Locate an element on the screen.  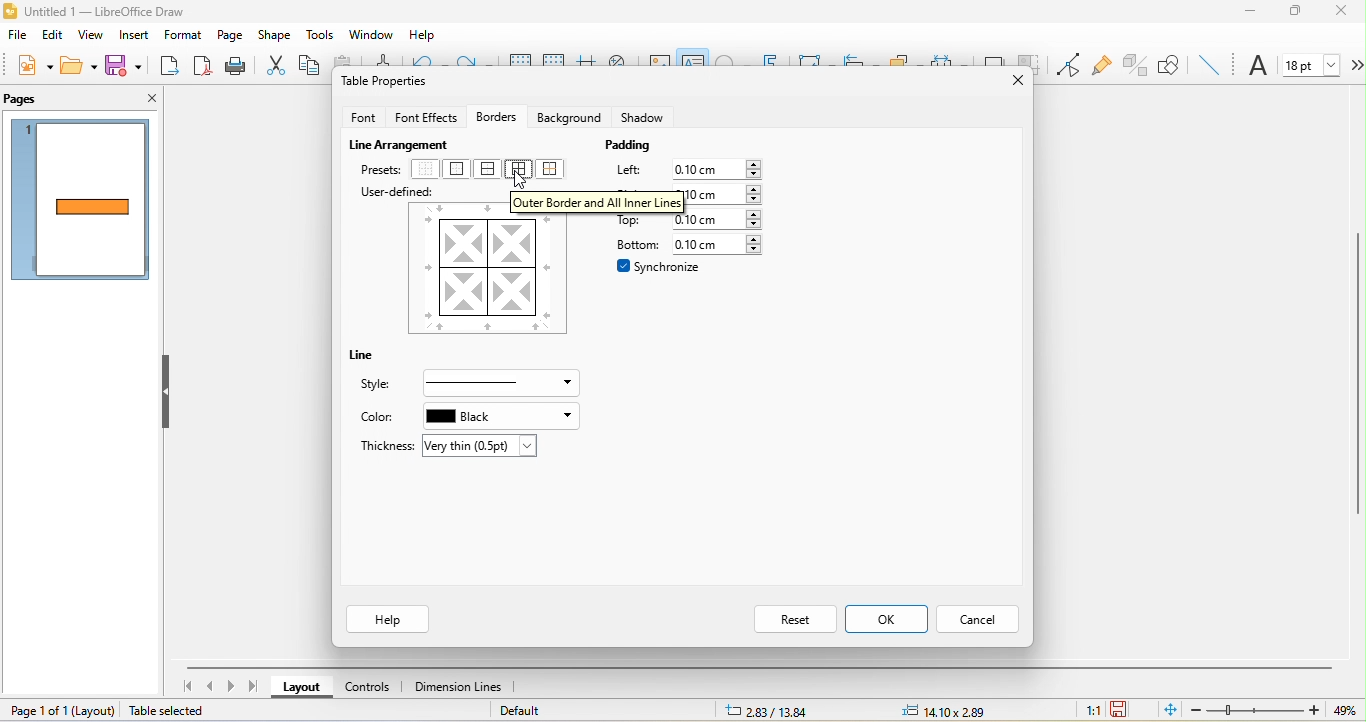
dimension line is located at coordinates (457, 685).